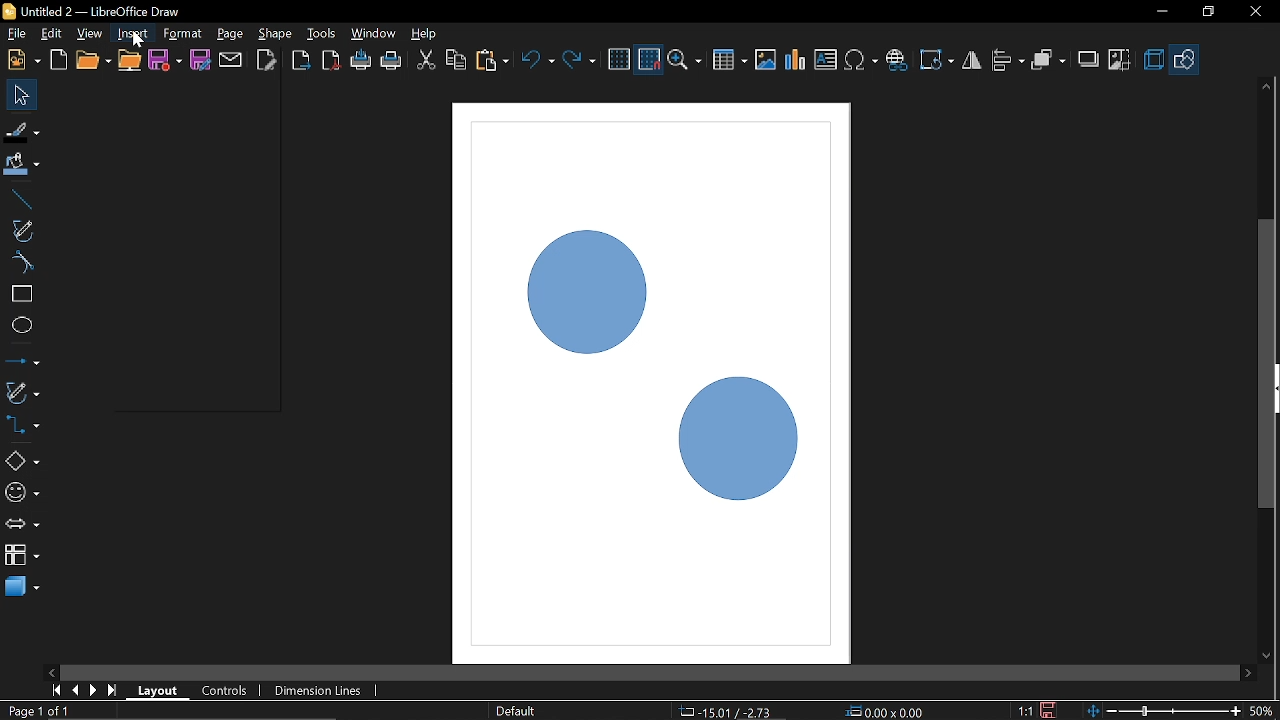  What do you see at coordinates (619, 60) in the screenshot?
I see `Grid` at bounding box center [619, 60].